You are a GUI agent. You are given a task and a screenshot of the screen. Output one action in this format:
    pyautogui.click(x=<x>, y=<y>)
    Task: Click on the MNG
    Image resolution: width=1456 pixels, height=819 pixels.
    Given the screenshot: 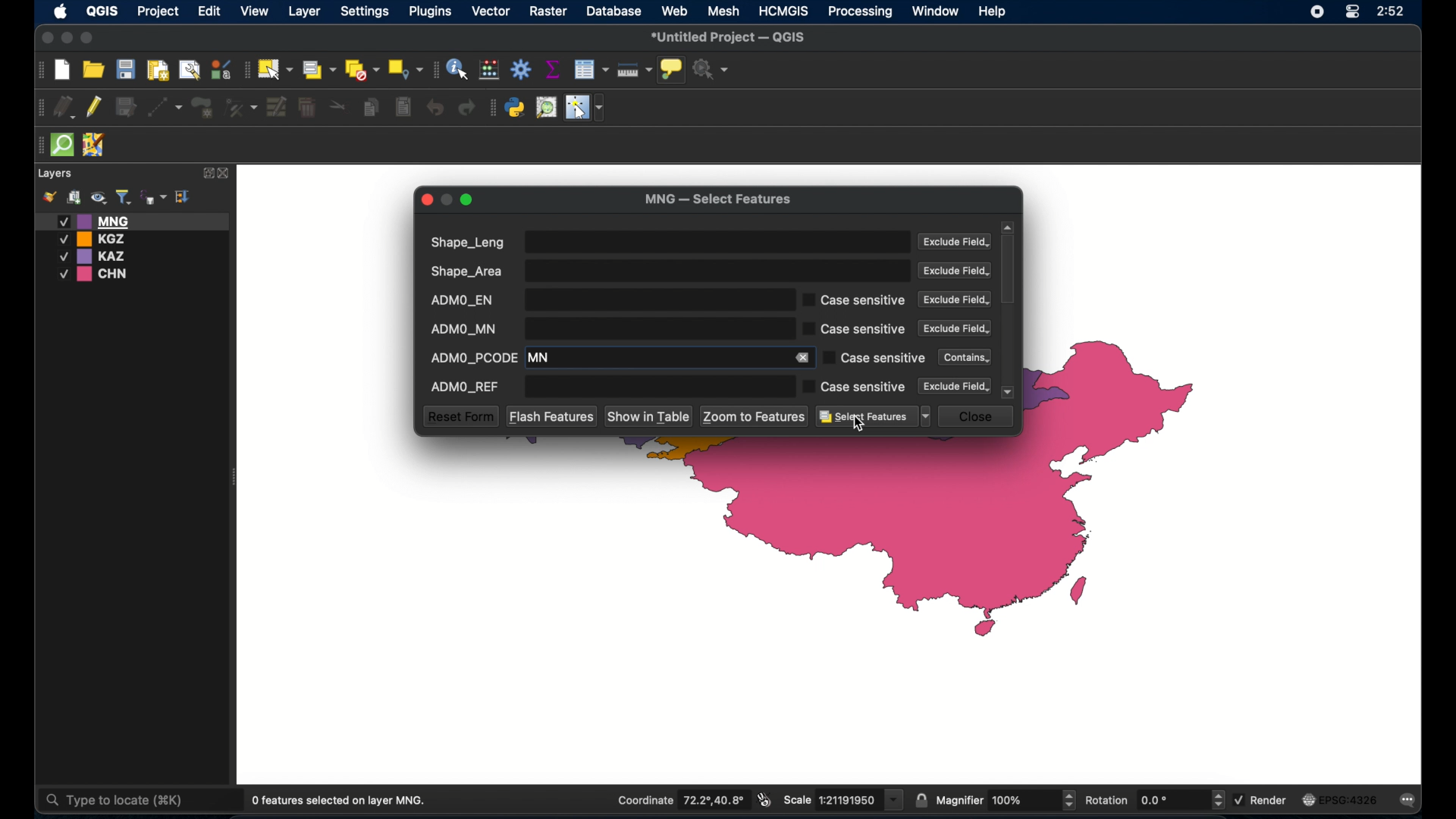 What is the action you would take?
    pyautogui.click(x=133, y=221)
    